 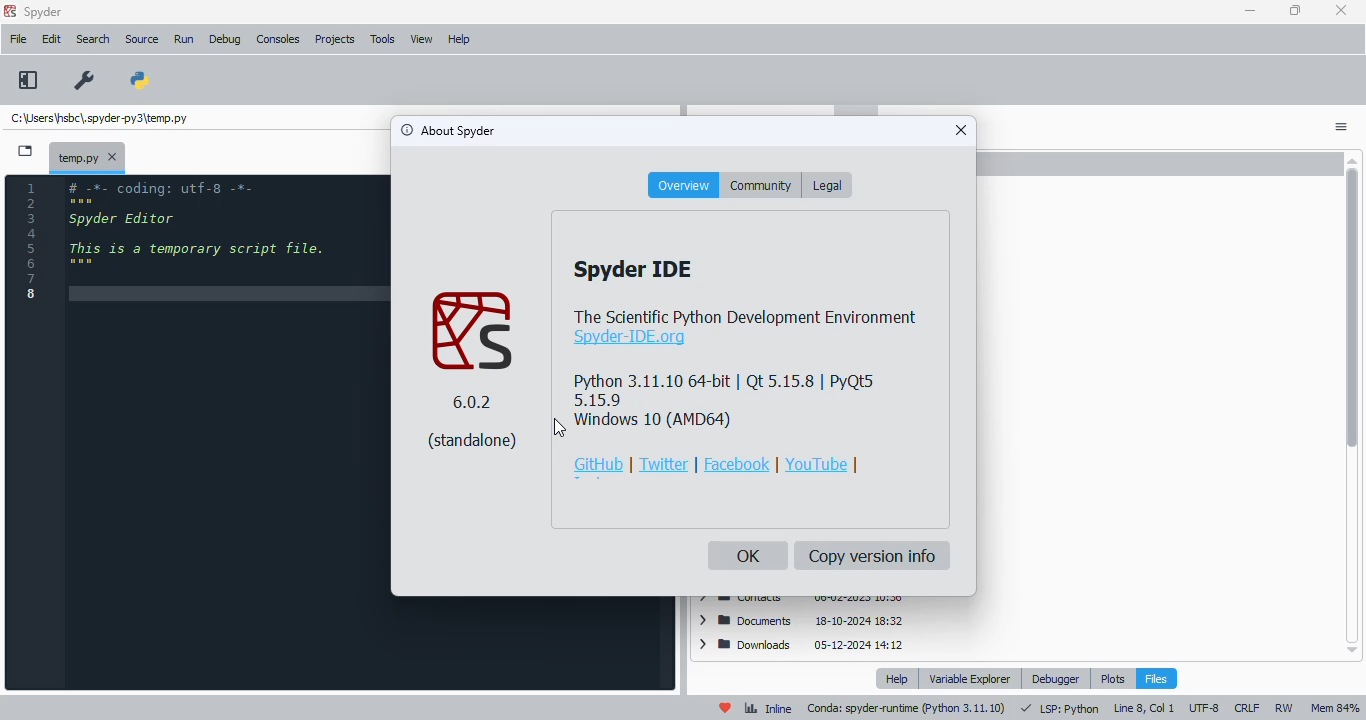 I want to click on browse tabs, so click(x=26, y=151).